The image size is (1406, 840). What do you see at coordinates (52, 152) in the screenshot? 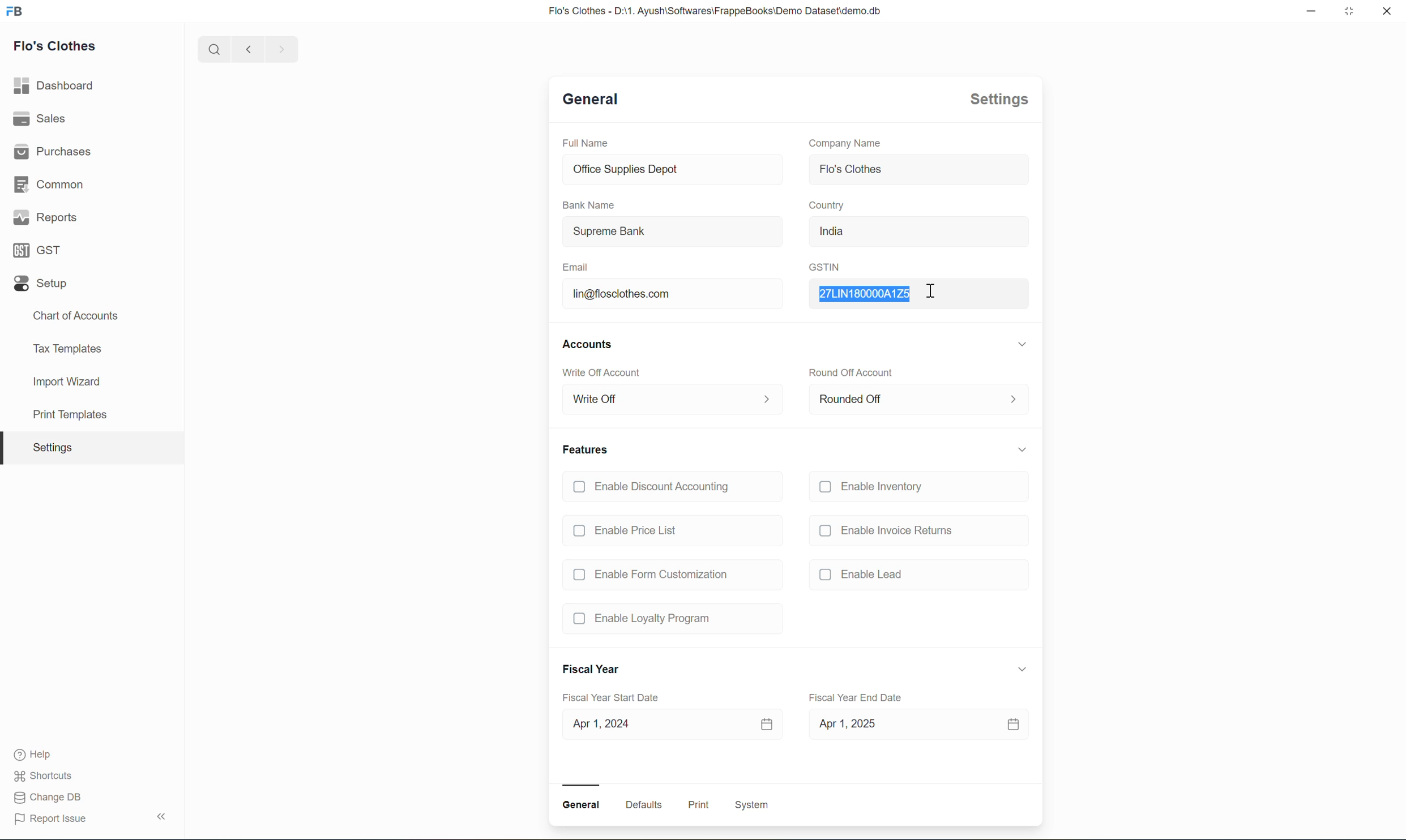
I see `Purchases` at bounding box center [52, 152].